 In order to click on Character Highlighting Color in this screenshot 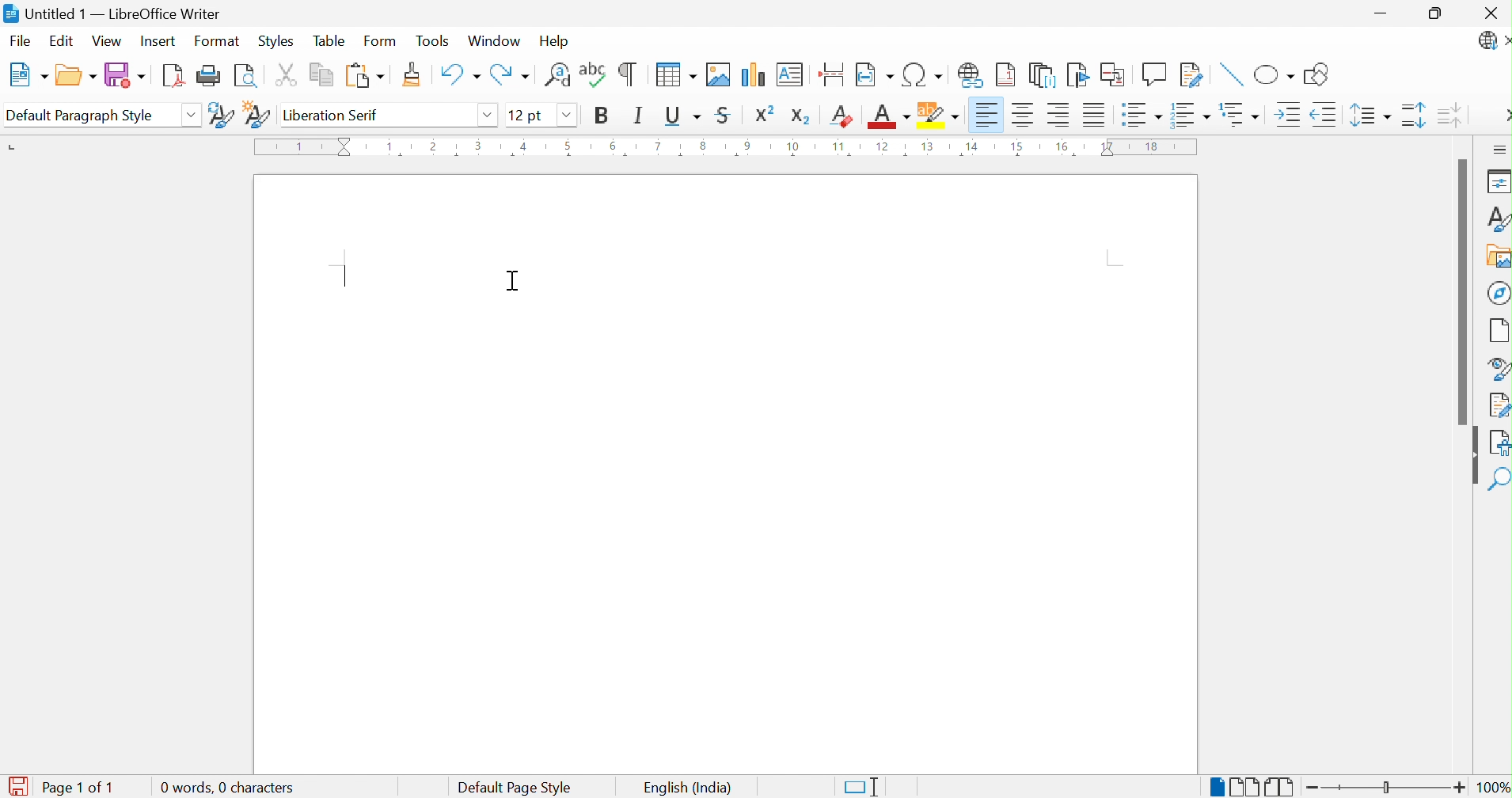, I will do `click(940, 112)`.